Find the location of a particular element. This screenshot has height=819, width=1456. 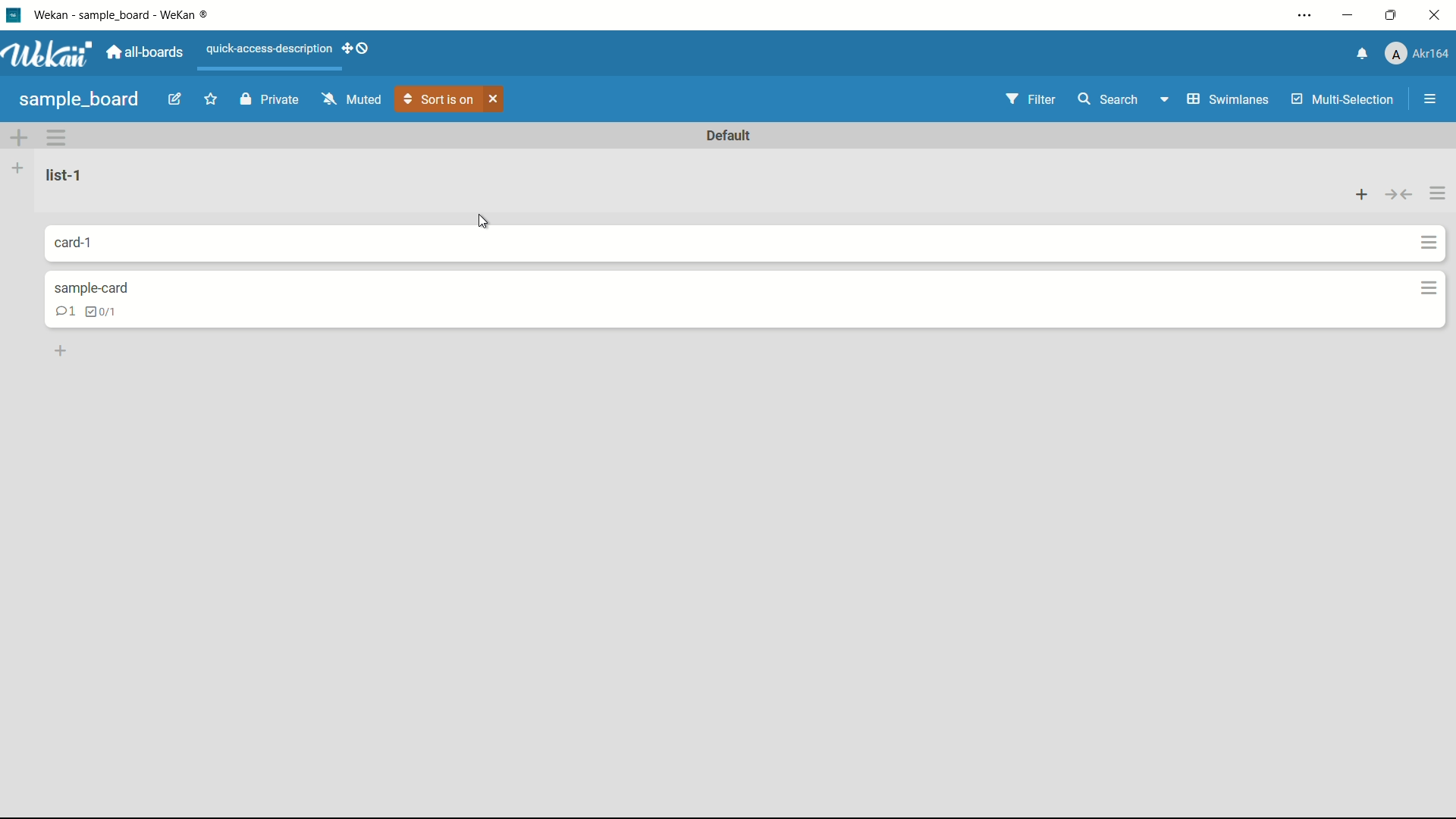

settings and more is located at coordinates (1305, 16).